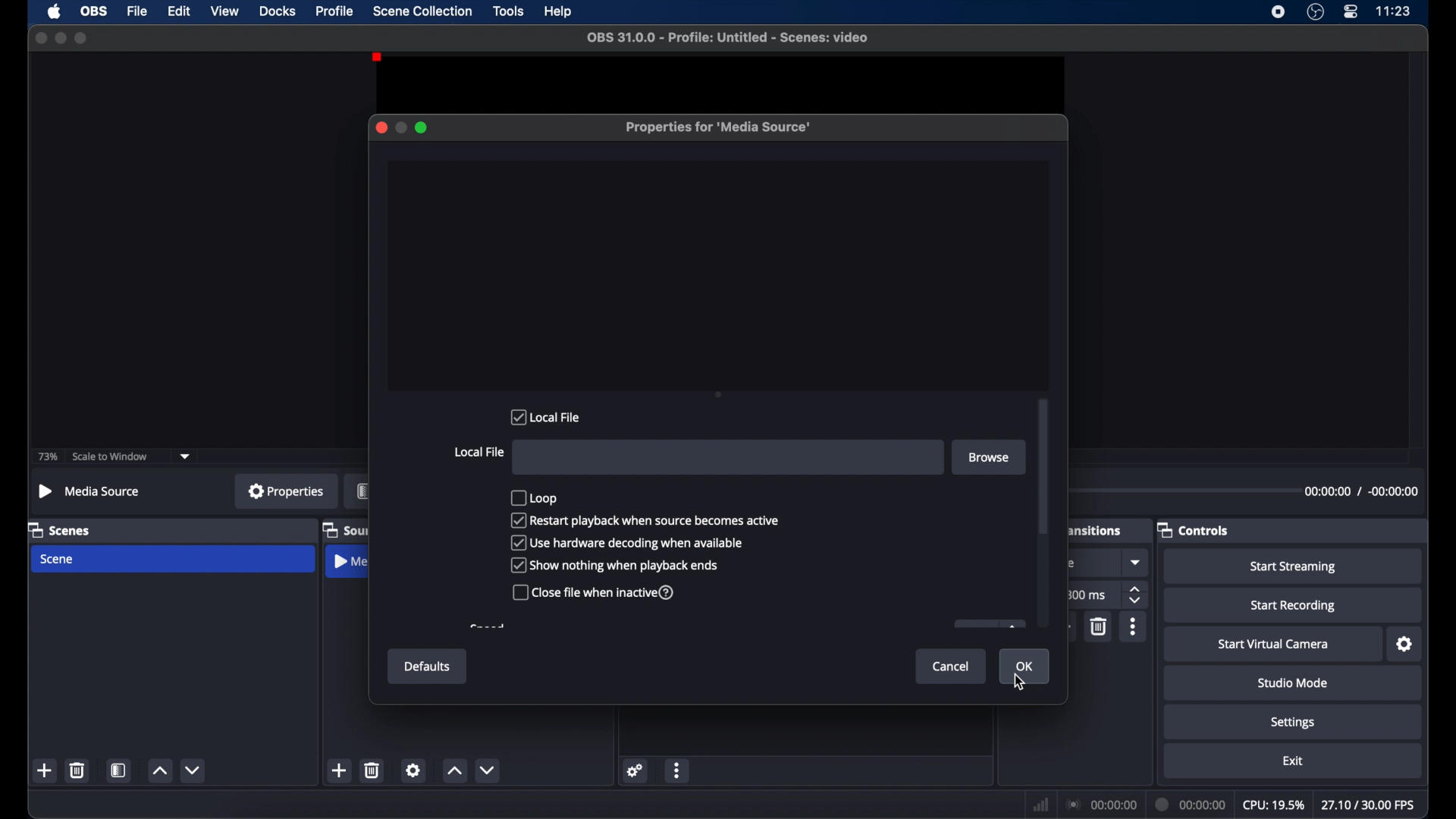  I want to click on add, so click(338, 770).